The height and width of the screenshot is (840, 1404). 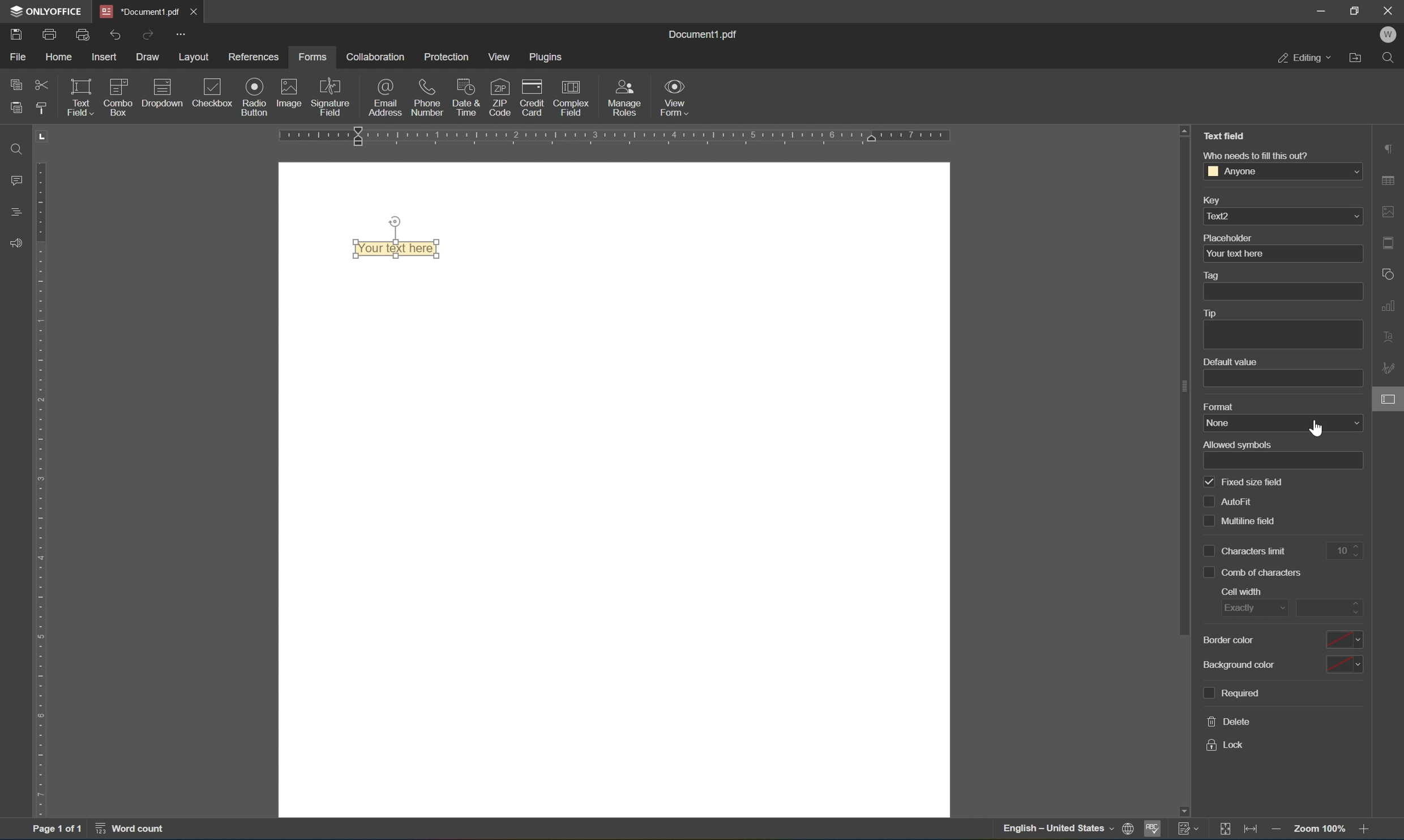 What do you see at coordinates (1246, 592) in the screenshot?
I see `cell with` at bounding box center [1246, 592].